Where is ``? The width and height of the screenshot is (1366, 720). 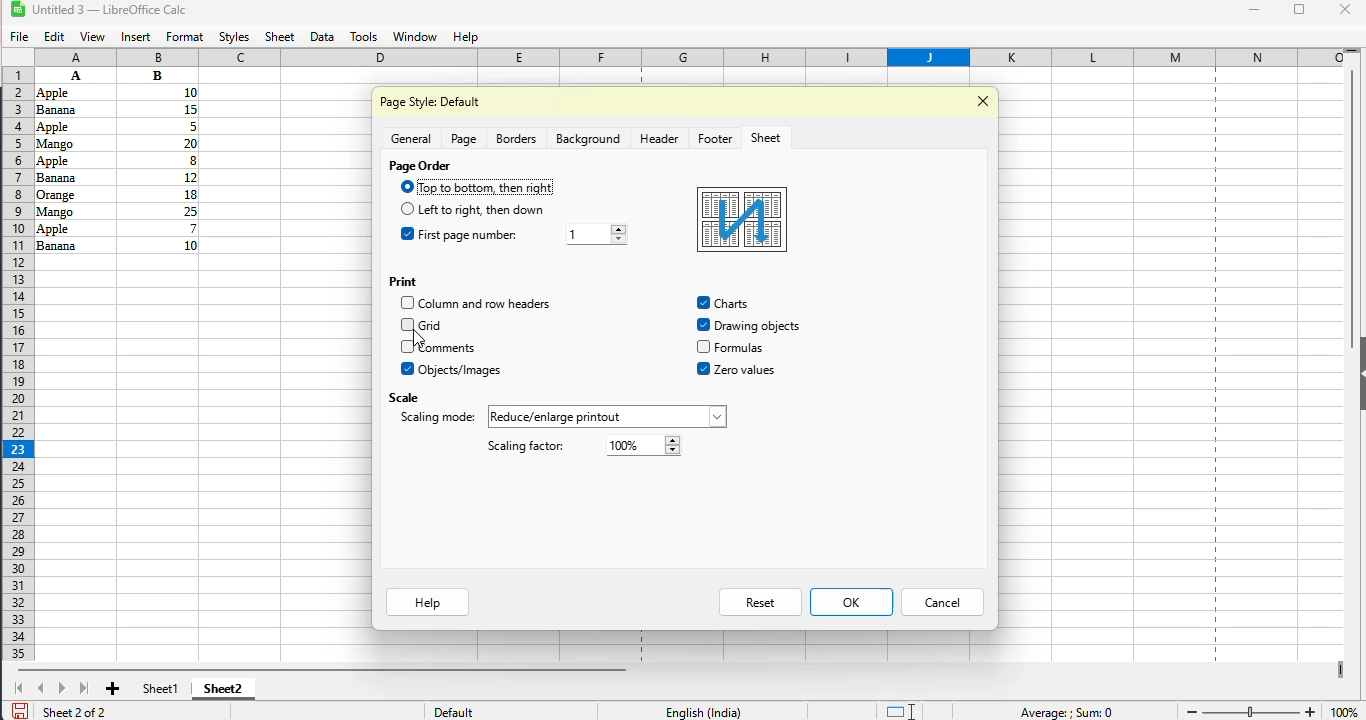
 is located at coordinates (157, 109).